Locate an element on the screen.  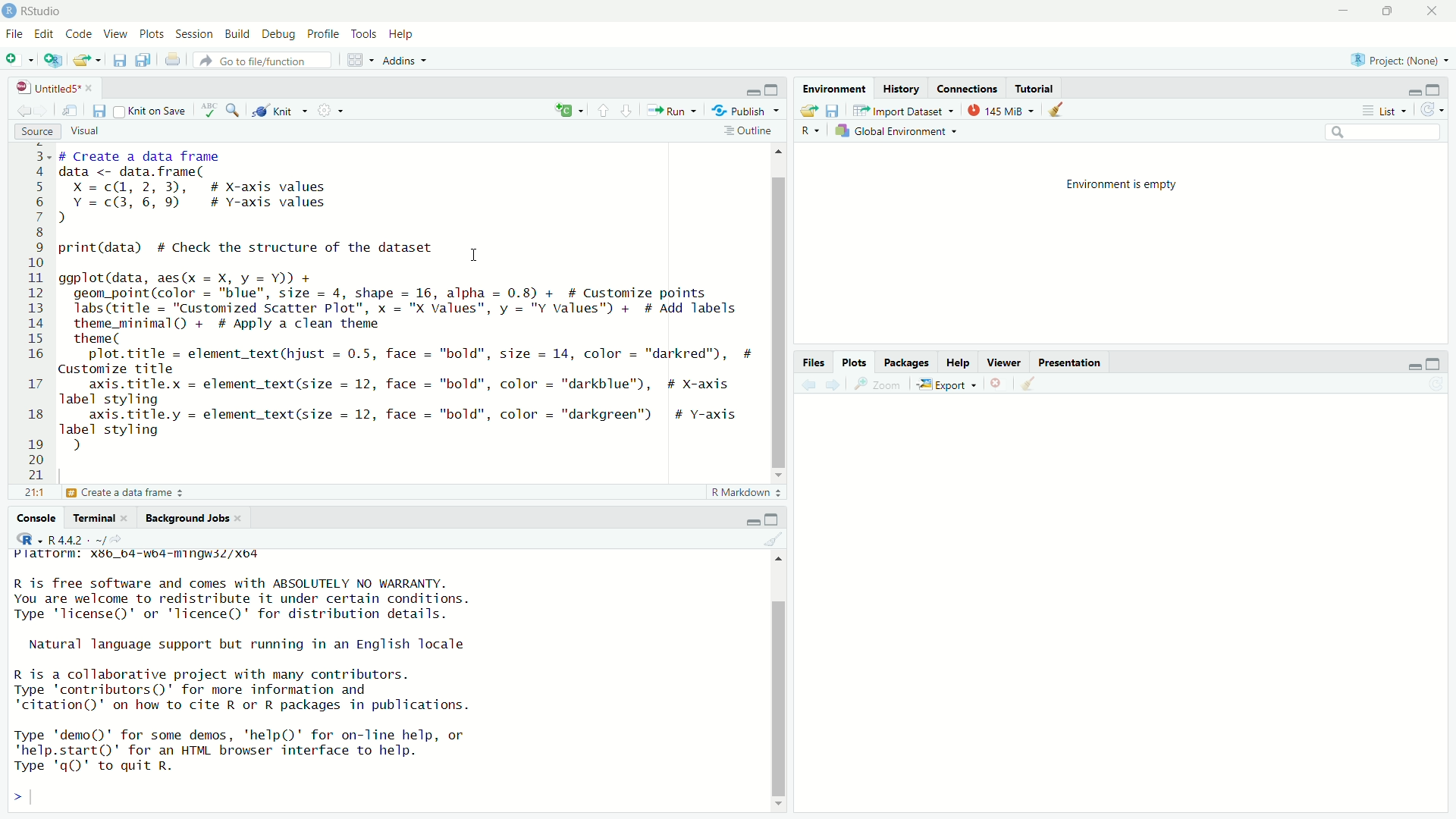
Source is located at coordinates (36, 133).